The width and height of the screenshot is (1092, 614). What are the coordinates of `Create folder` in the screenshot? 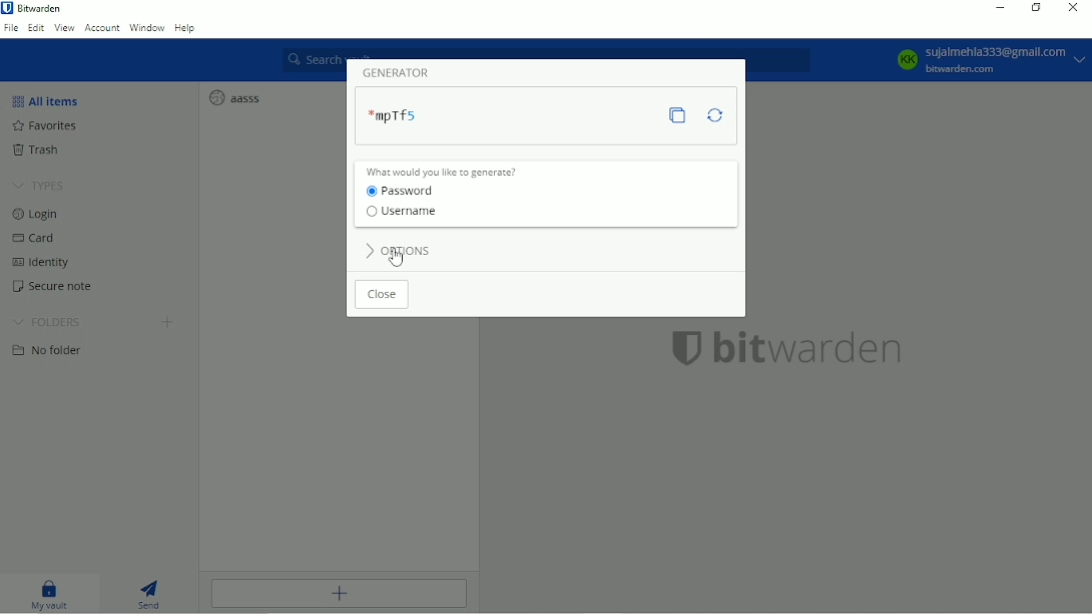 It's located at (168, 323).